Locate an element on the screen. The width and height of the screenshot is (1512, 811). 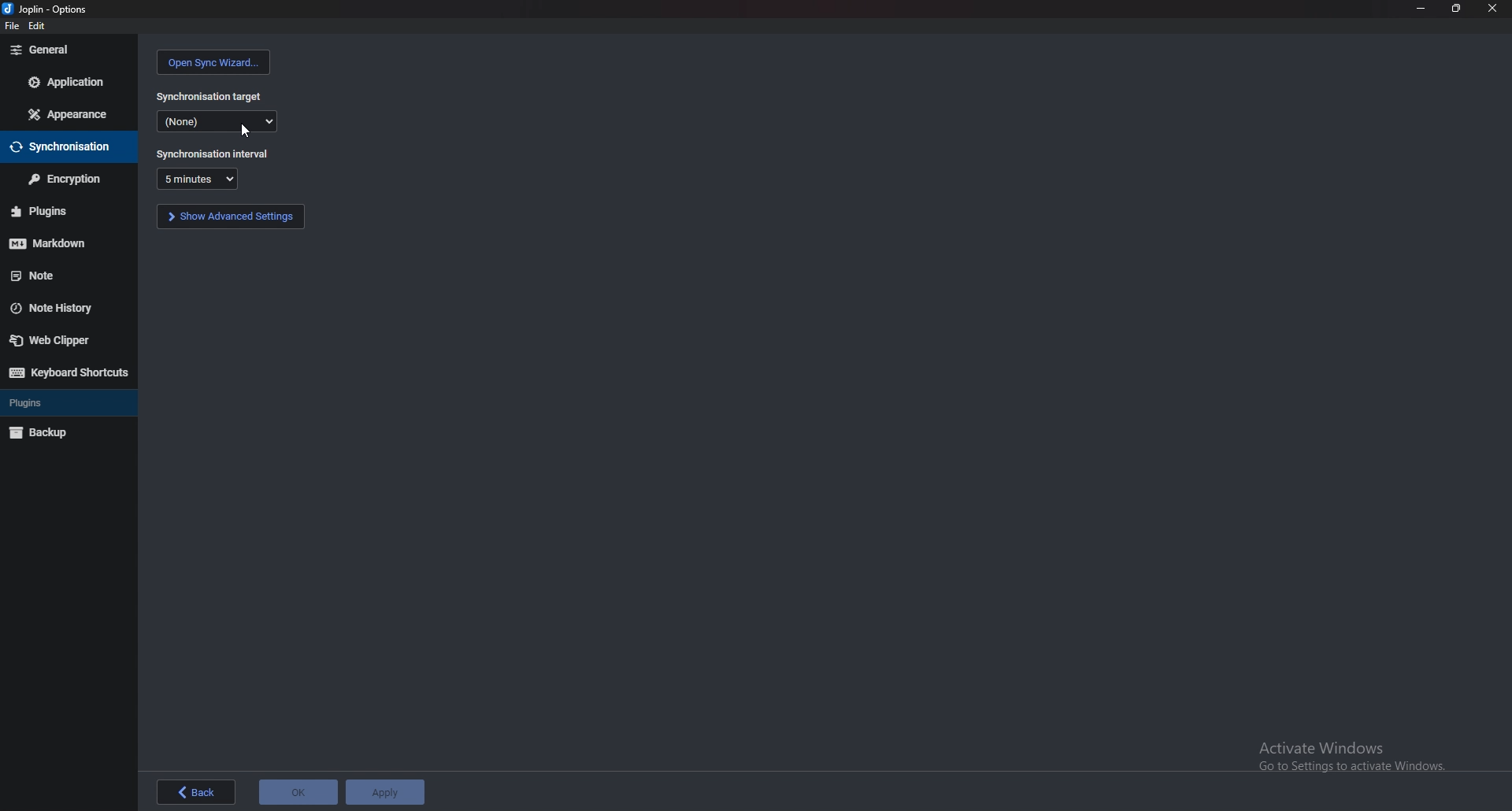
ok is located at coordinates (298, 793).